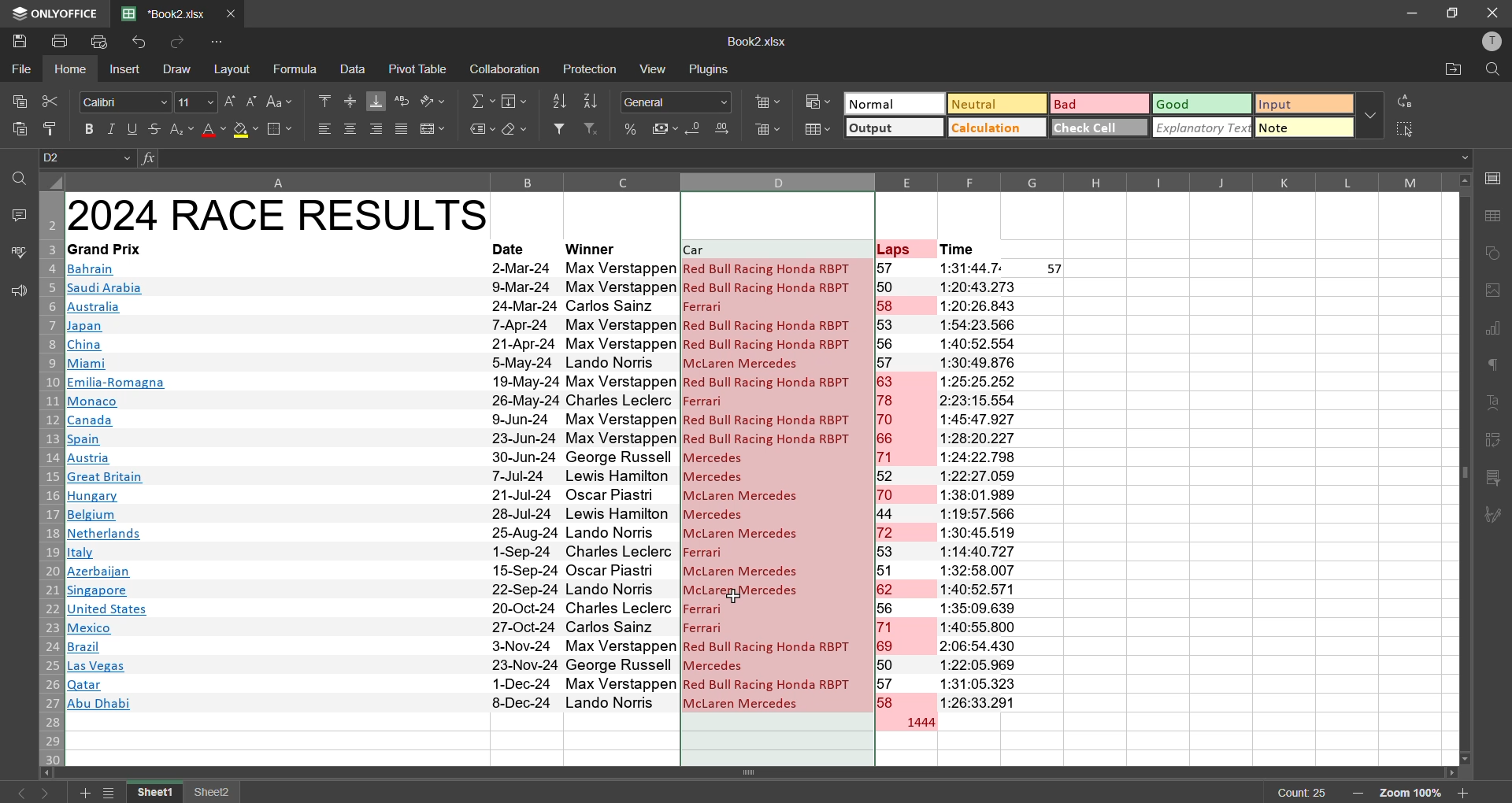  Describe the element at coordinates (283, 101) in the screenshot. I see `change case` at that location.